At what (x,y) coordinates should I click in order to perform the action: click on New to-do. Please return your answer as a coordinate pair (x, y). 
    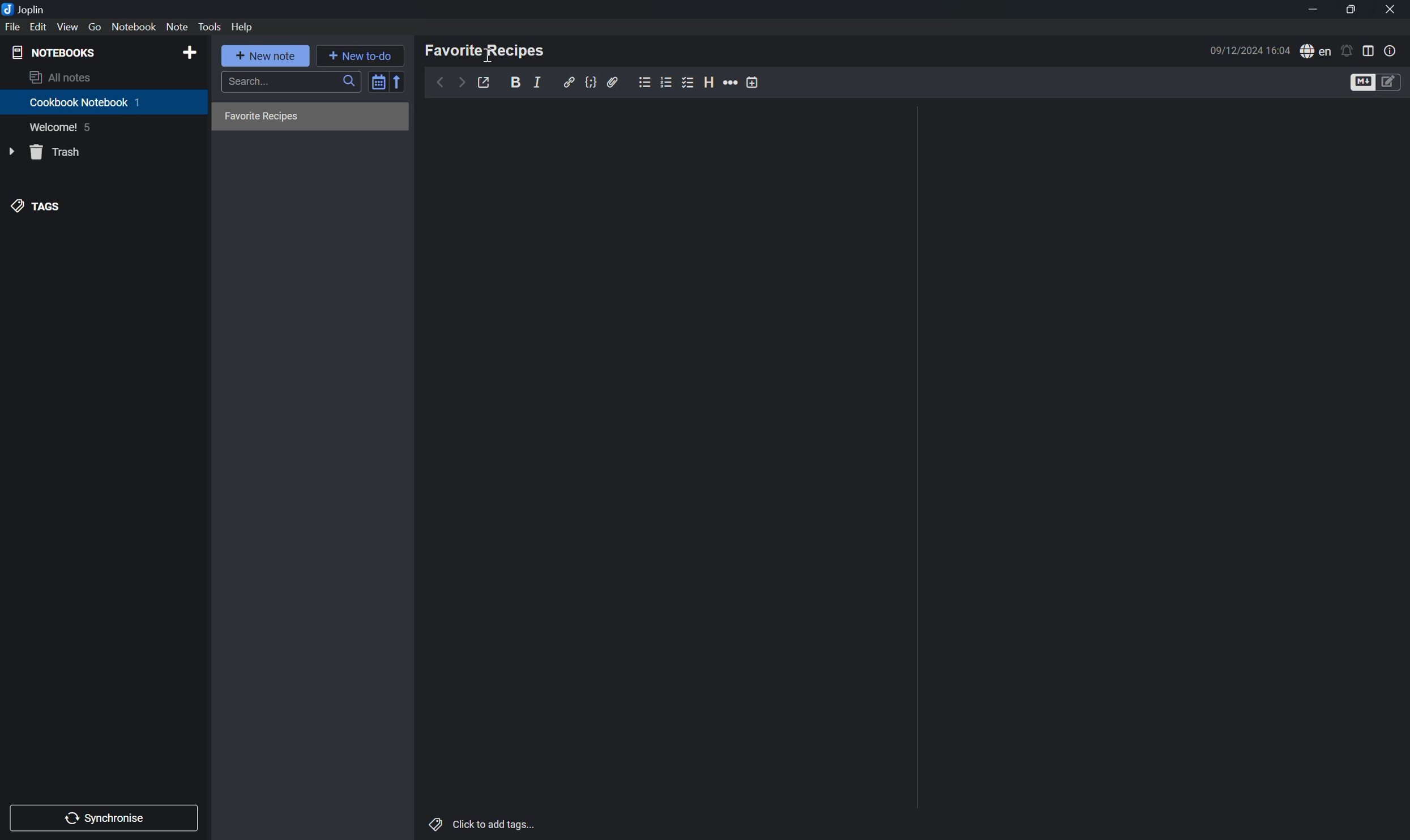
    Looking at the image, I should click on (359, 54).